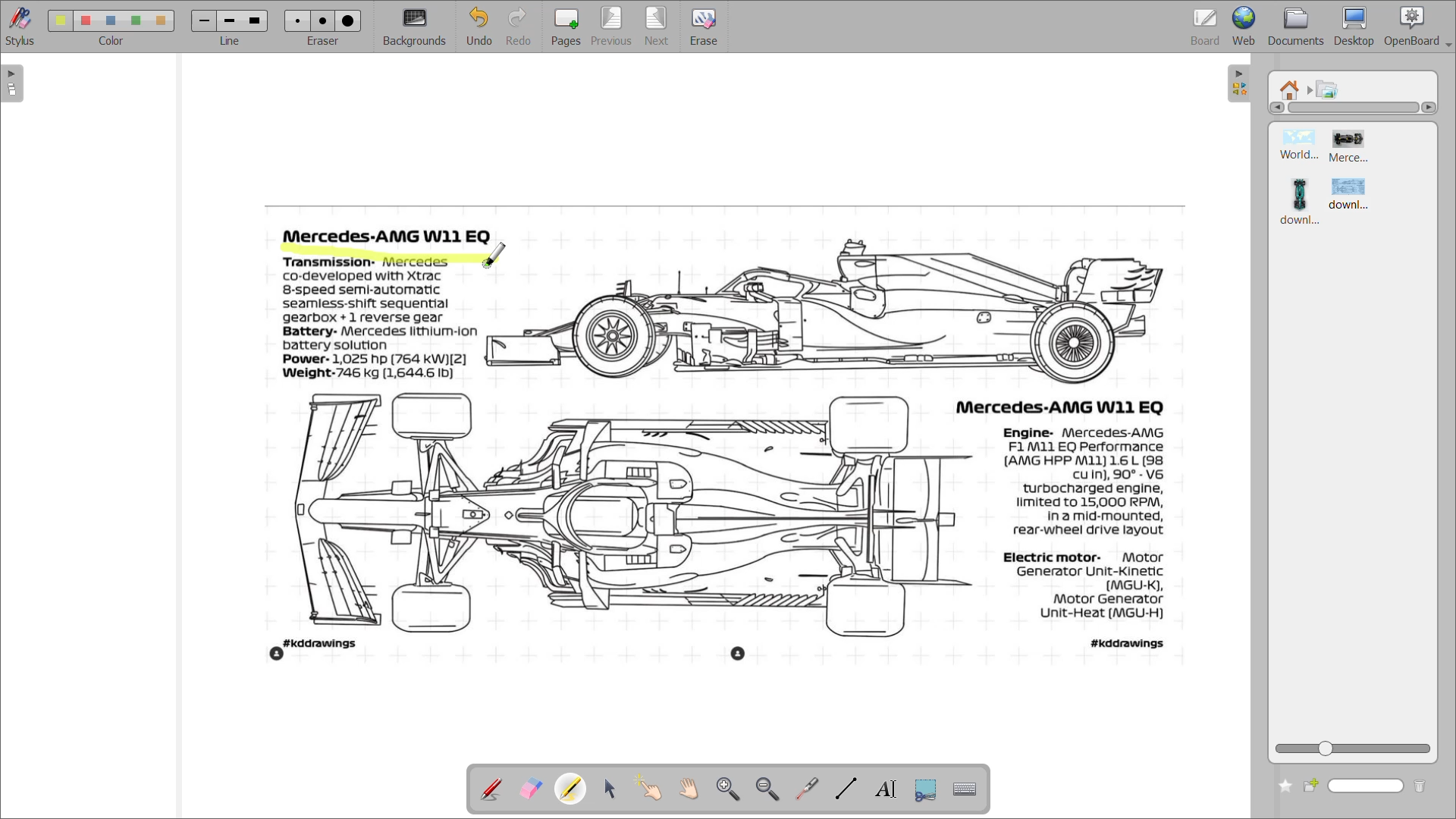 This screenshot has height=819, width=1456. Describe the element at coordinates (1349, 149) in the screenshot. I see `image 2` at that location.